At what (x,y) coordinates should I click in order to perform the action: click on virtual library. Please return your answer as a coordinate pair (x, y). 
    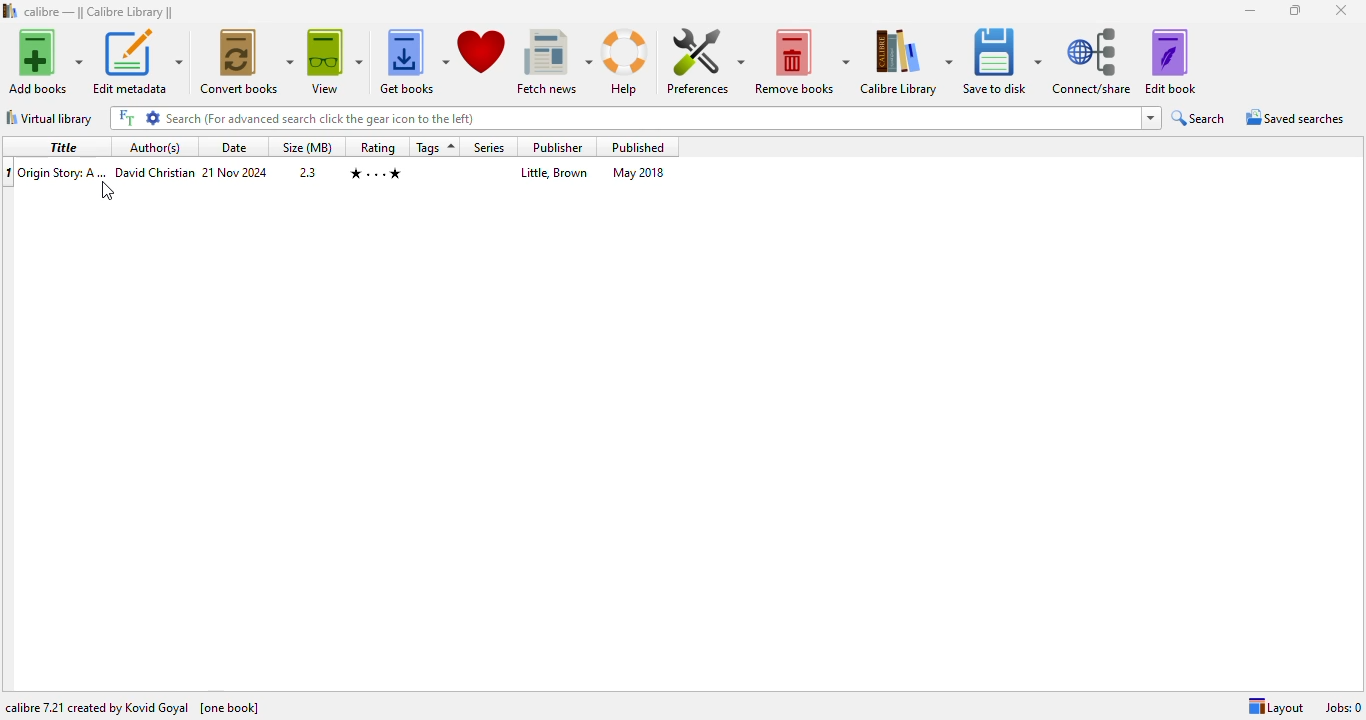
    Looking at the image, I should click on (49, 117).